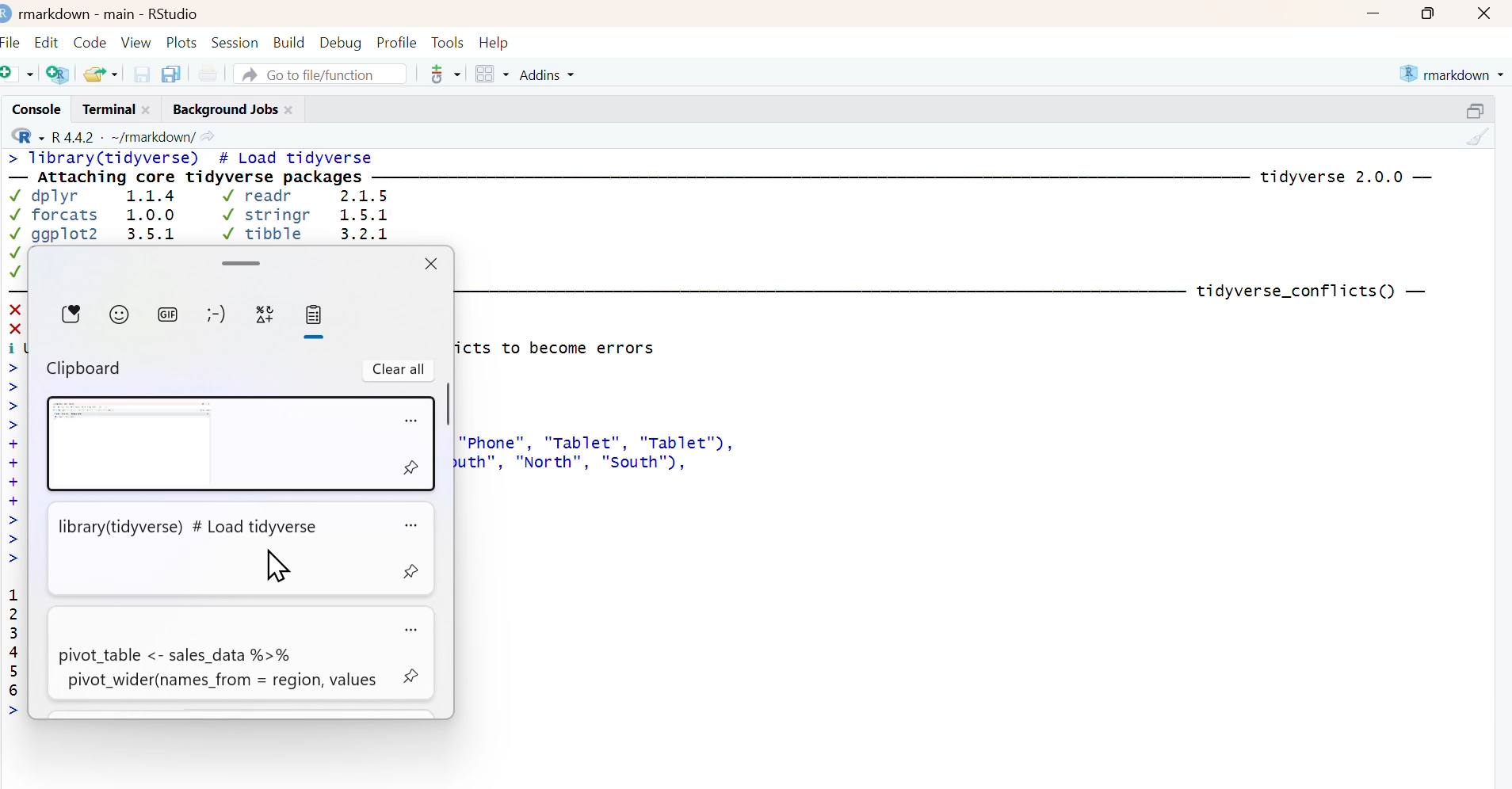 The width and height of the screenshot is (1512, 789). I want to click on save all, so click(170, 73).